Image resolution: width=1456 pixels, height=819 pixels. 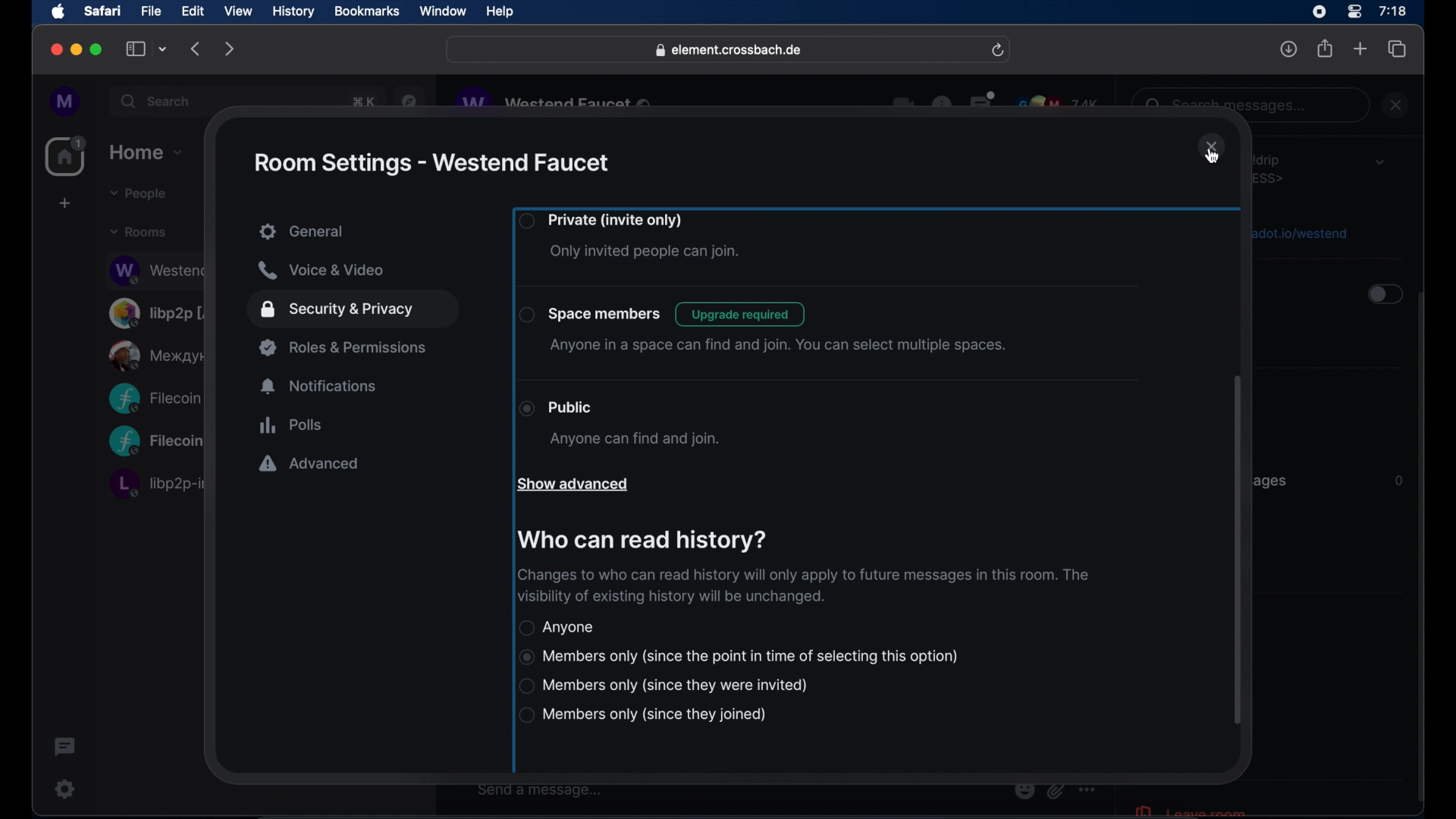 I want to click on member only radio button, so click(x=665, y=686).